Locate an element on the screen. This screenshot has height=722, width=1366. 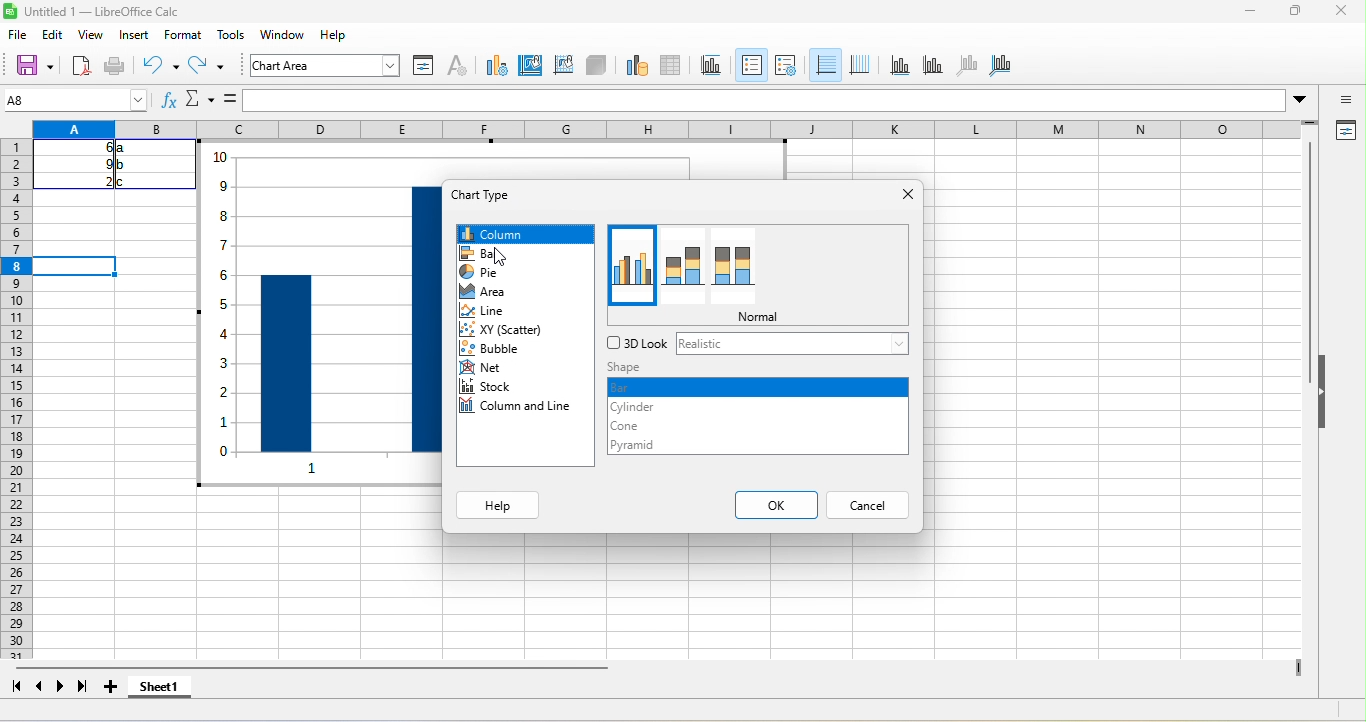
Legend on/off is located at coordinates (824, 64).